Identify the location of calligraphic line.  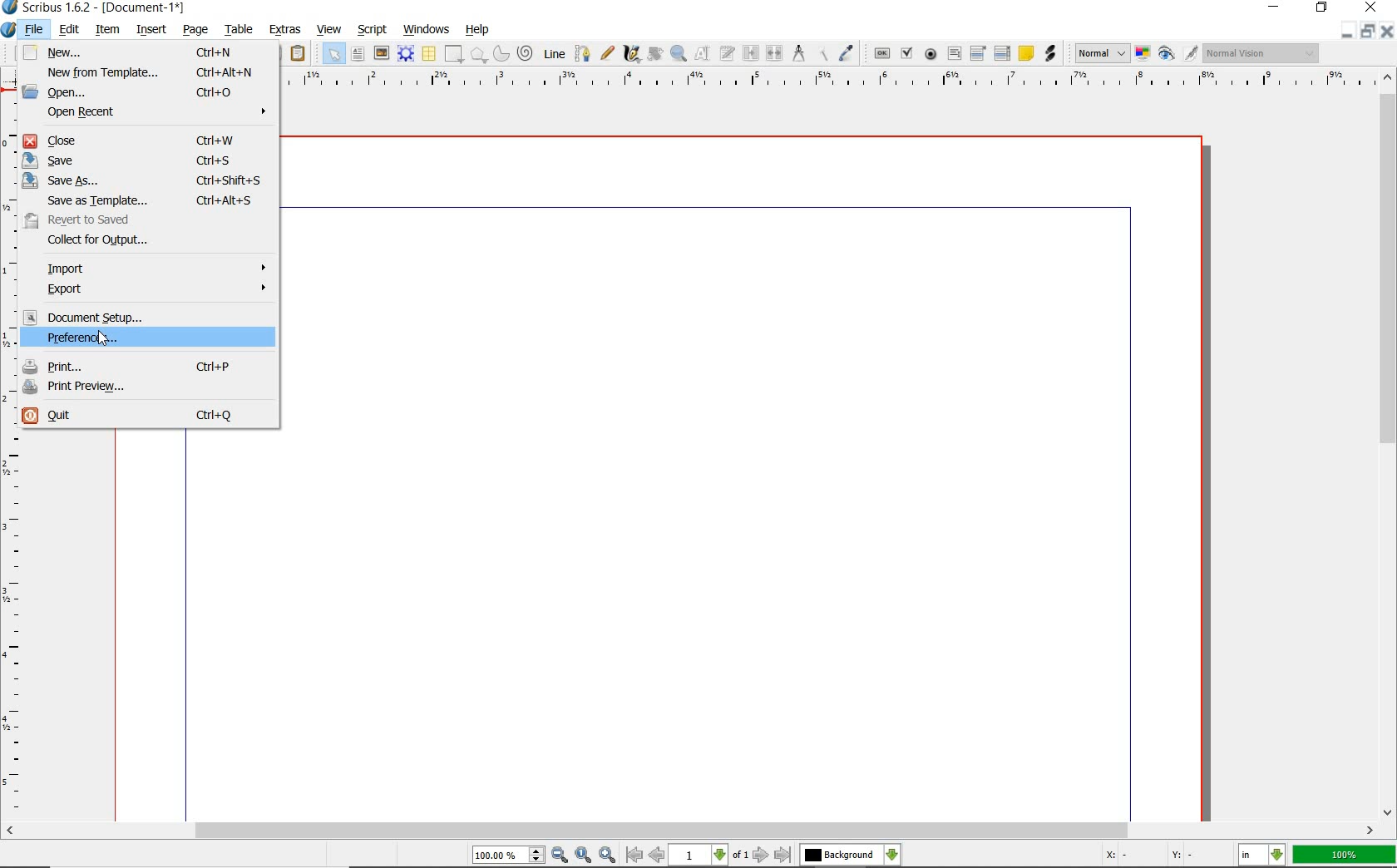
(633, 56).